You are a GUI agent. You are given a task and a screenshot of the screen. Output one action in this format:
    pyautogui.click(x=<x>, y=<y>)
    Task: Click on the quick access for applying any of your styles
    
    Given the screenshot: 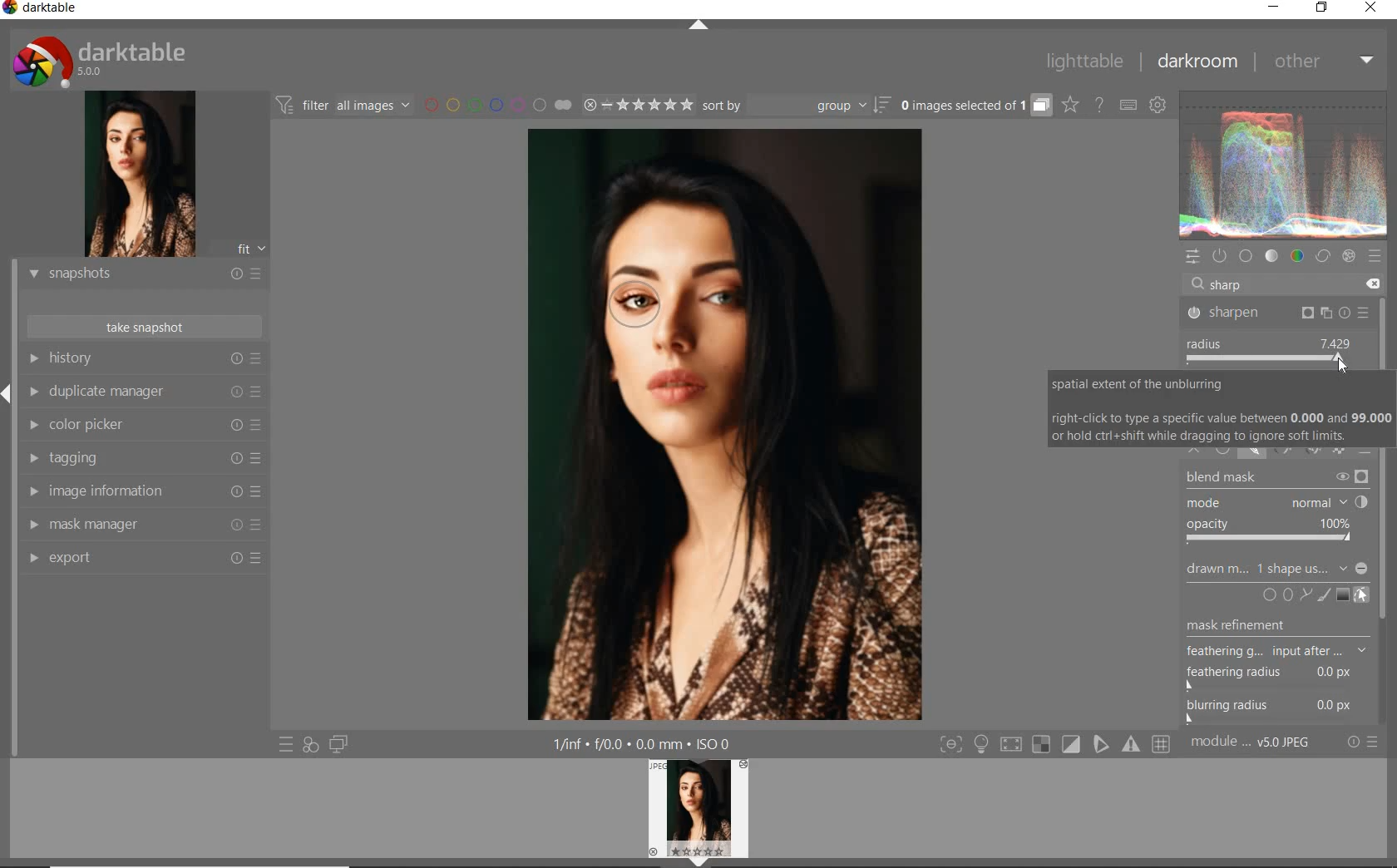 What is the action you would take?
    pyautogui.click(x=310, y=745)
    